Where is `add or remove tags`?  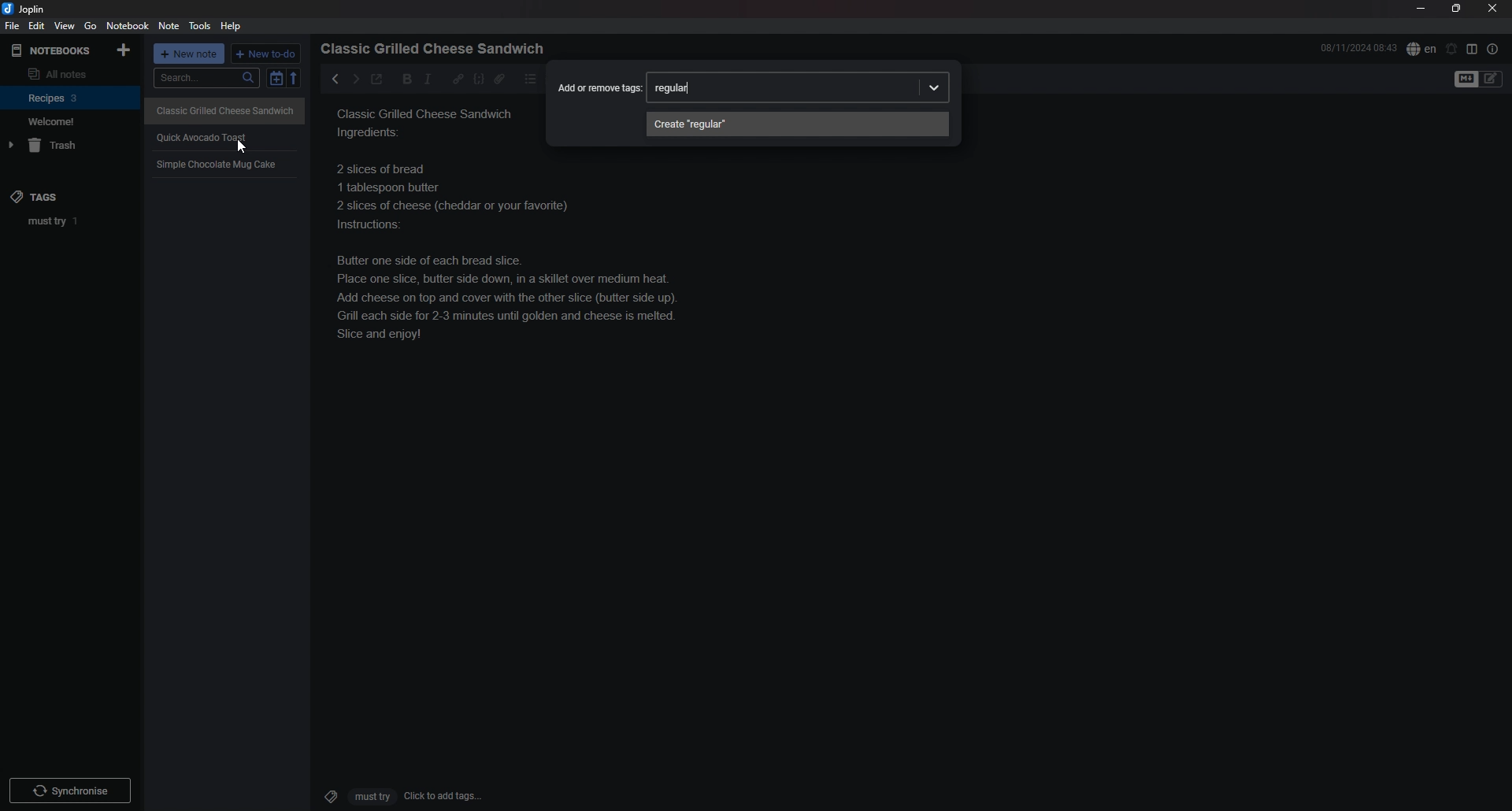 add or remove tags is located at coordinates (598, 86).